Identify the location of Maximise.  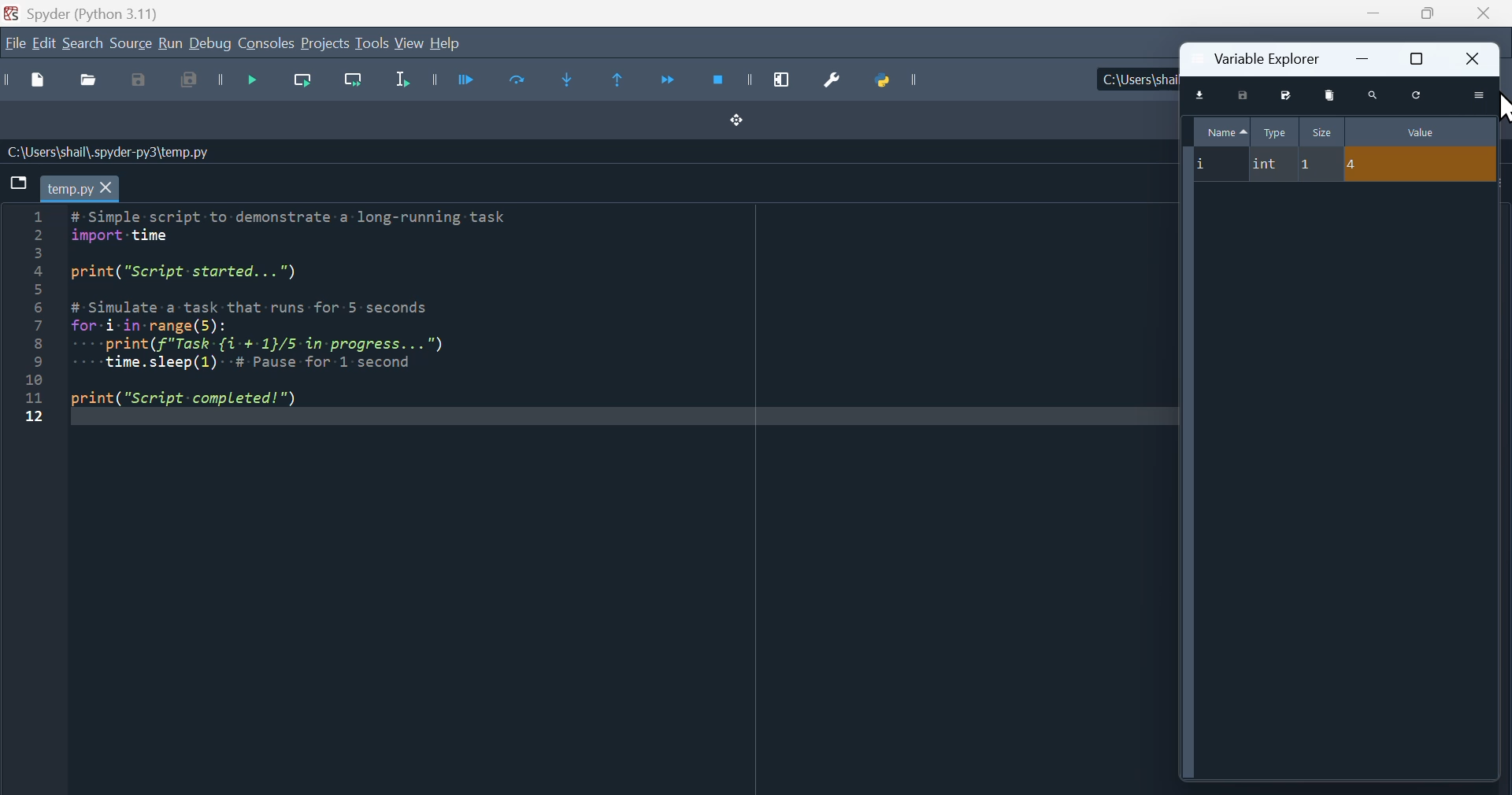
(1424, 13).